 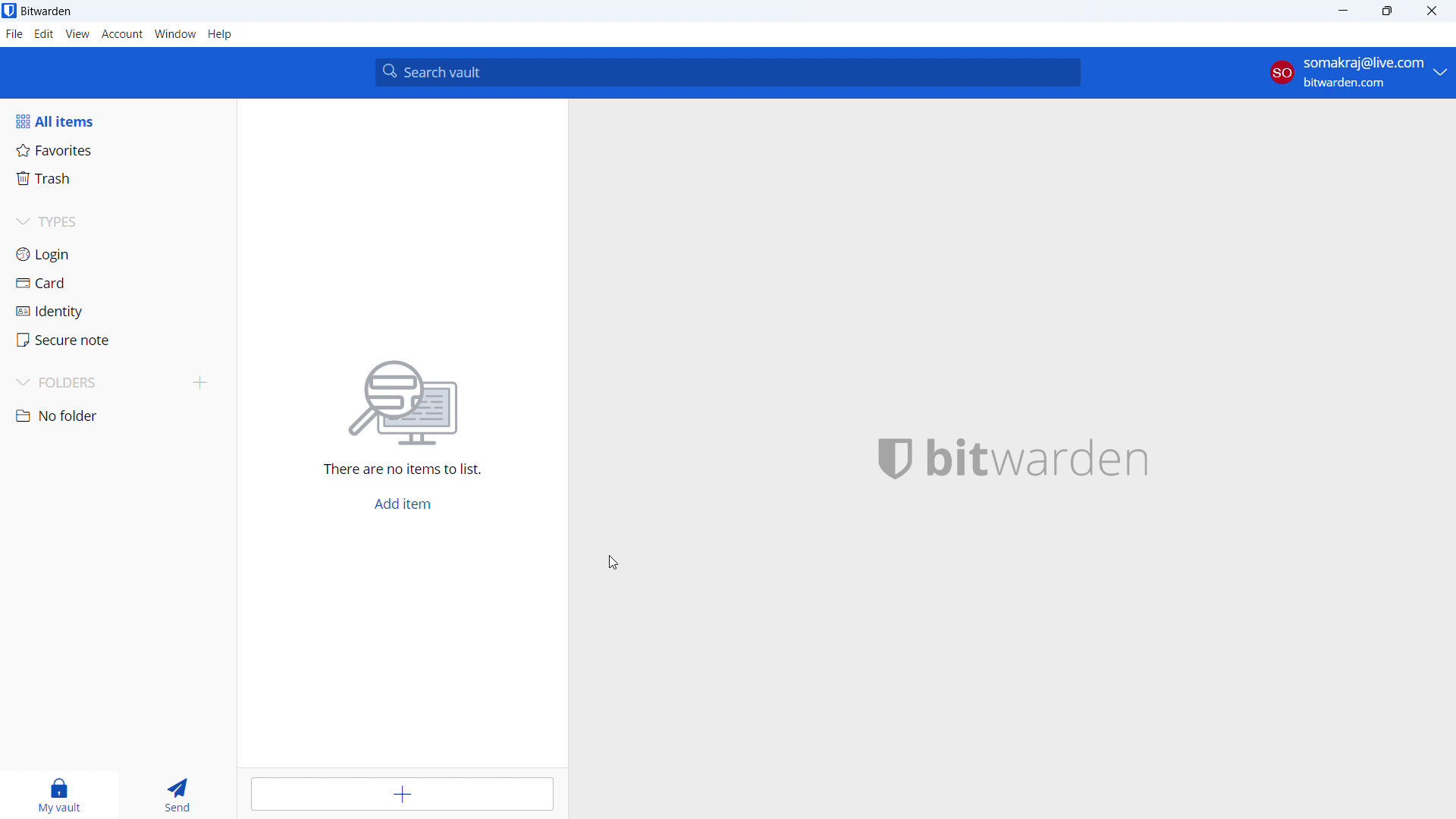 I want to click on BITWARDEN LOGO, so click(x=886, y=459).